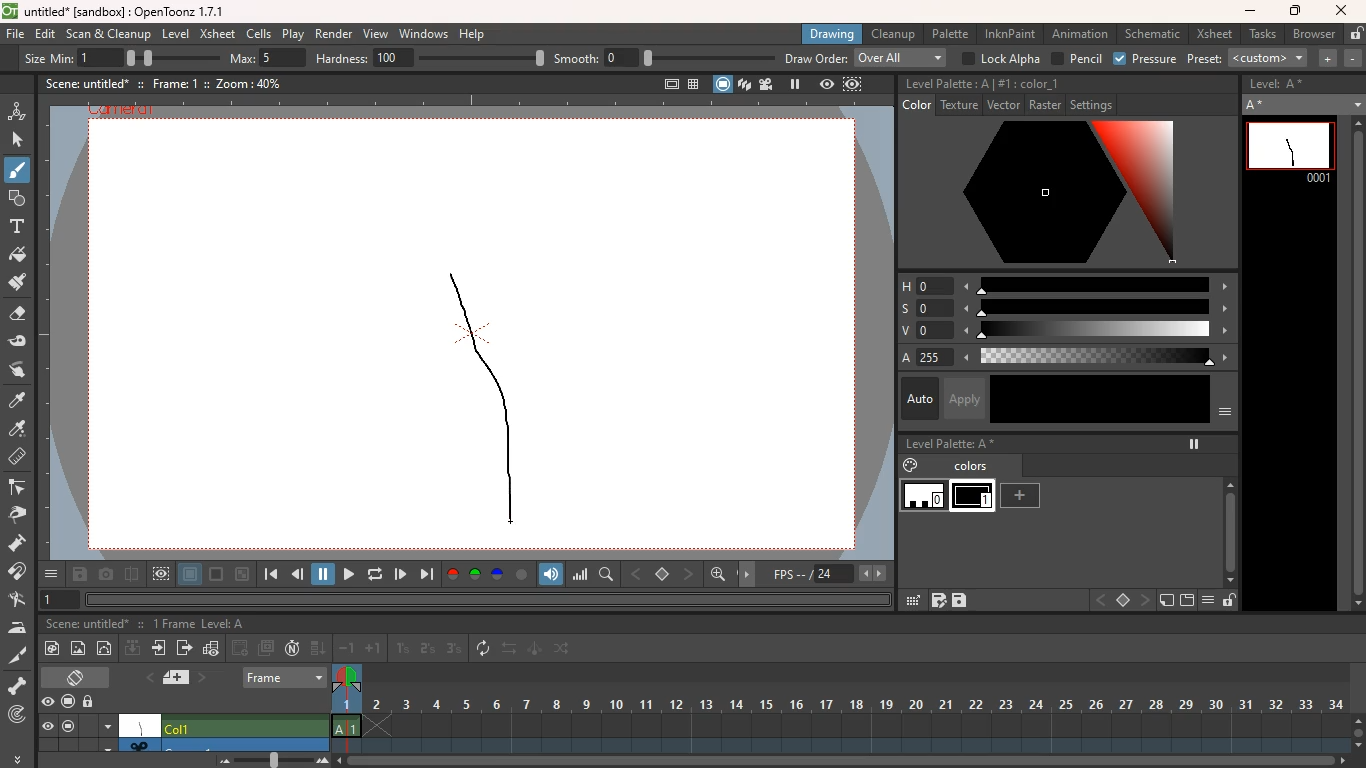 The width and height of the screenshot is (1366, 768). Describe the element at coordinates (55, 648) in the screenshot. I see `paint` at that location.